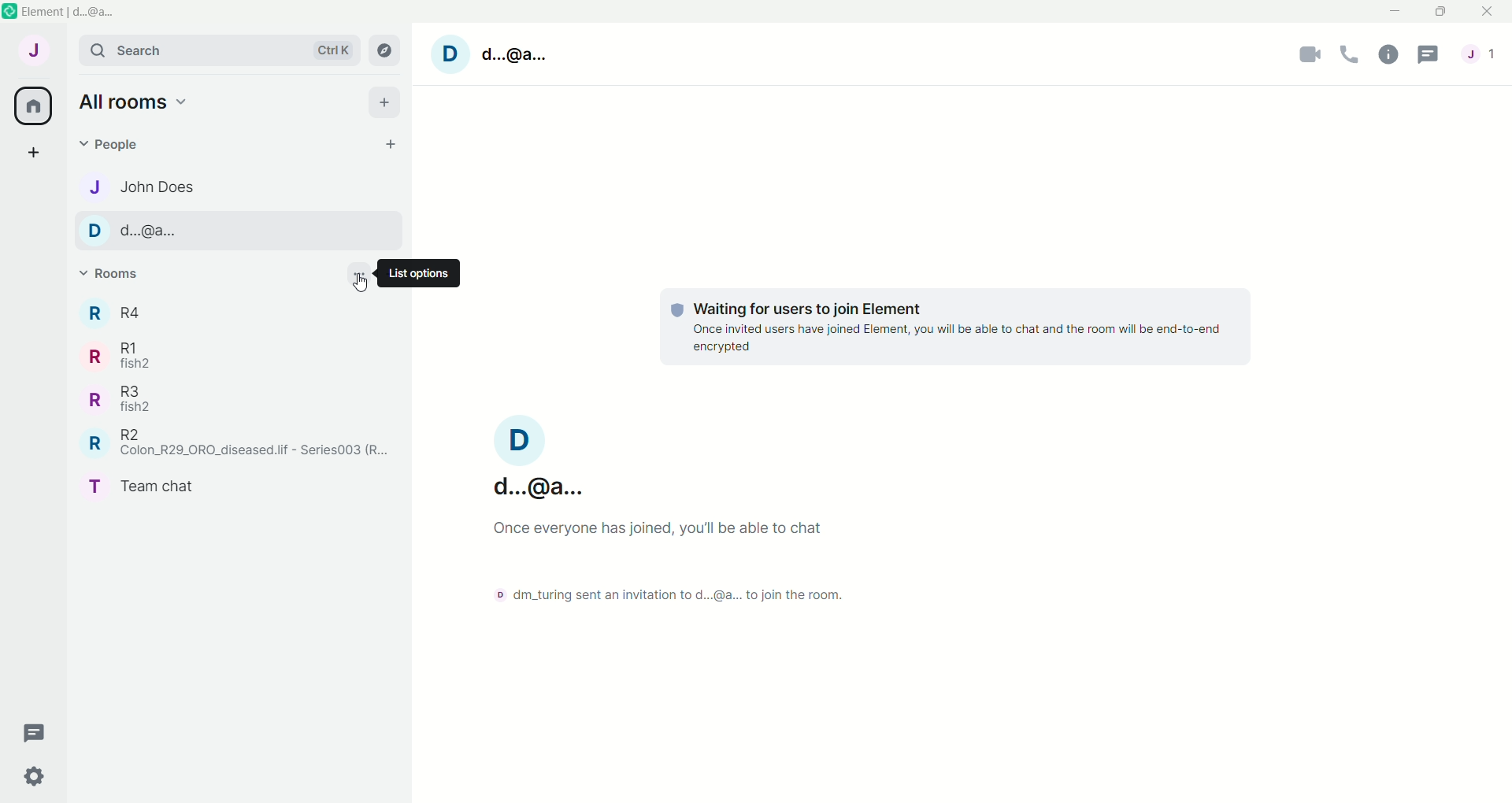  I want to click on Room R3, so click(120, 398).